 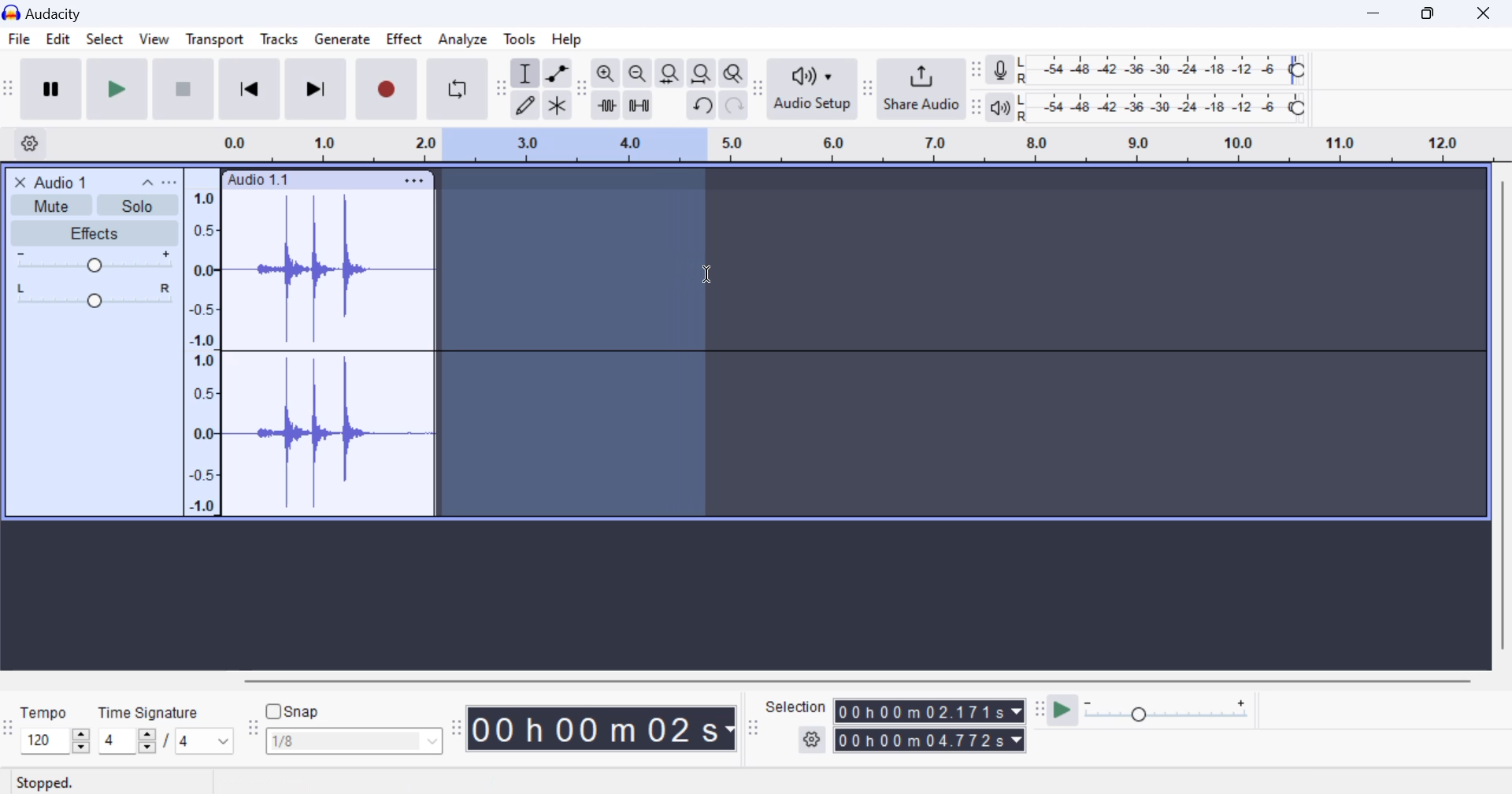 What do you see at coordinates (104, 43) in the screenshot?
I see `Select` at bounding box center [104, 43].